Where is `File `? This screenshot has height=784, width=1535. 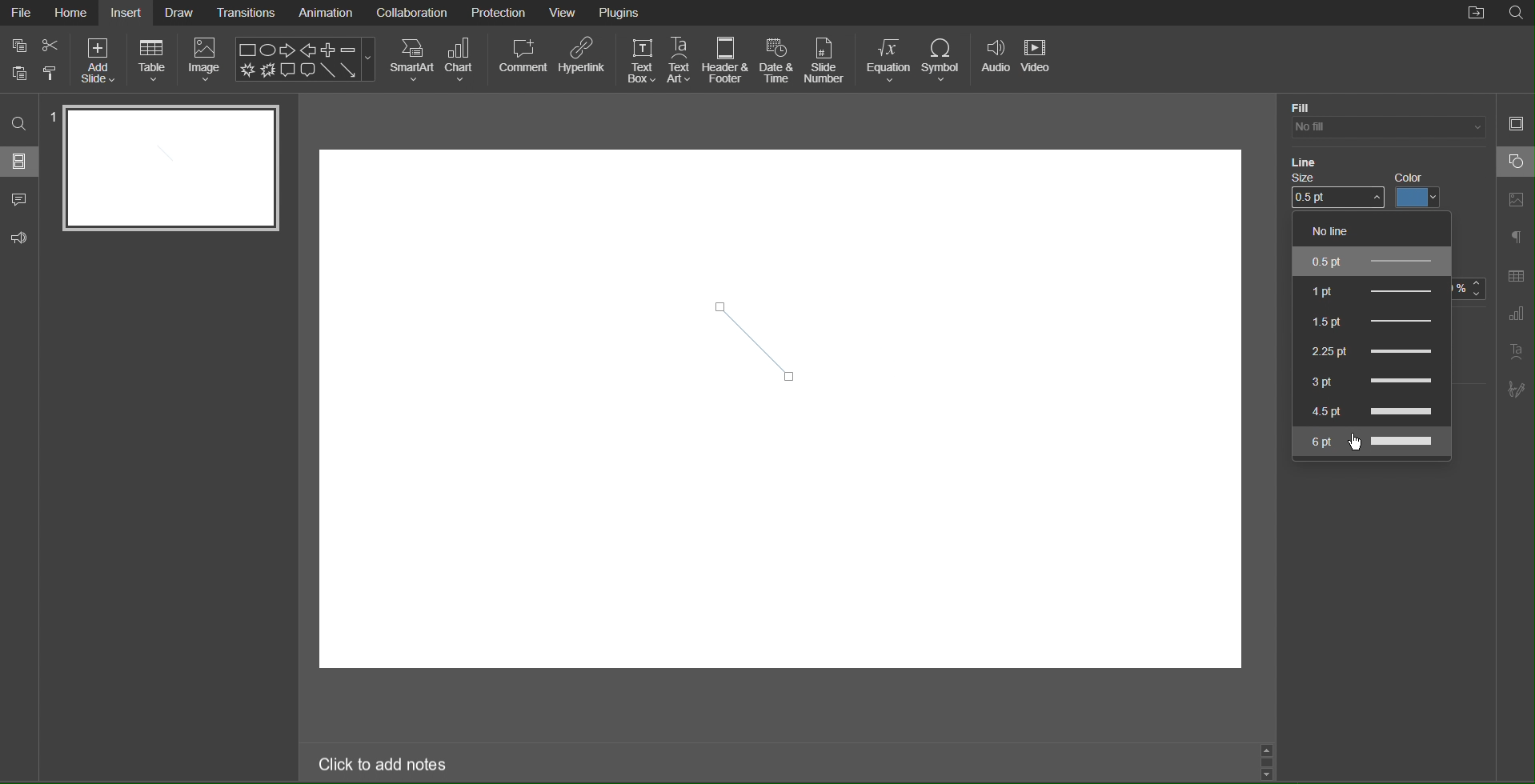 File  is located at coordinates (22, 14).